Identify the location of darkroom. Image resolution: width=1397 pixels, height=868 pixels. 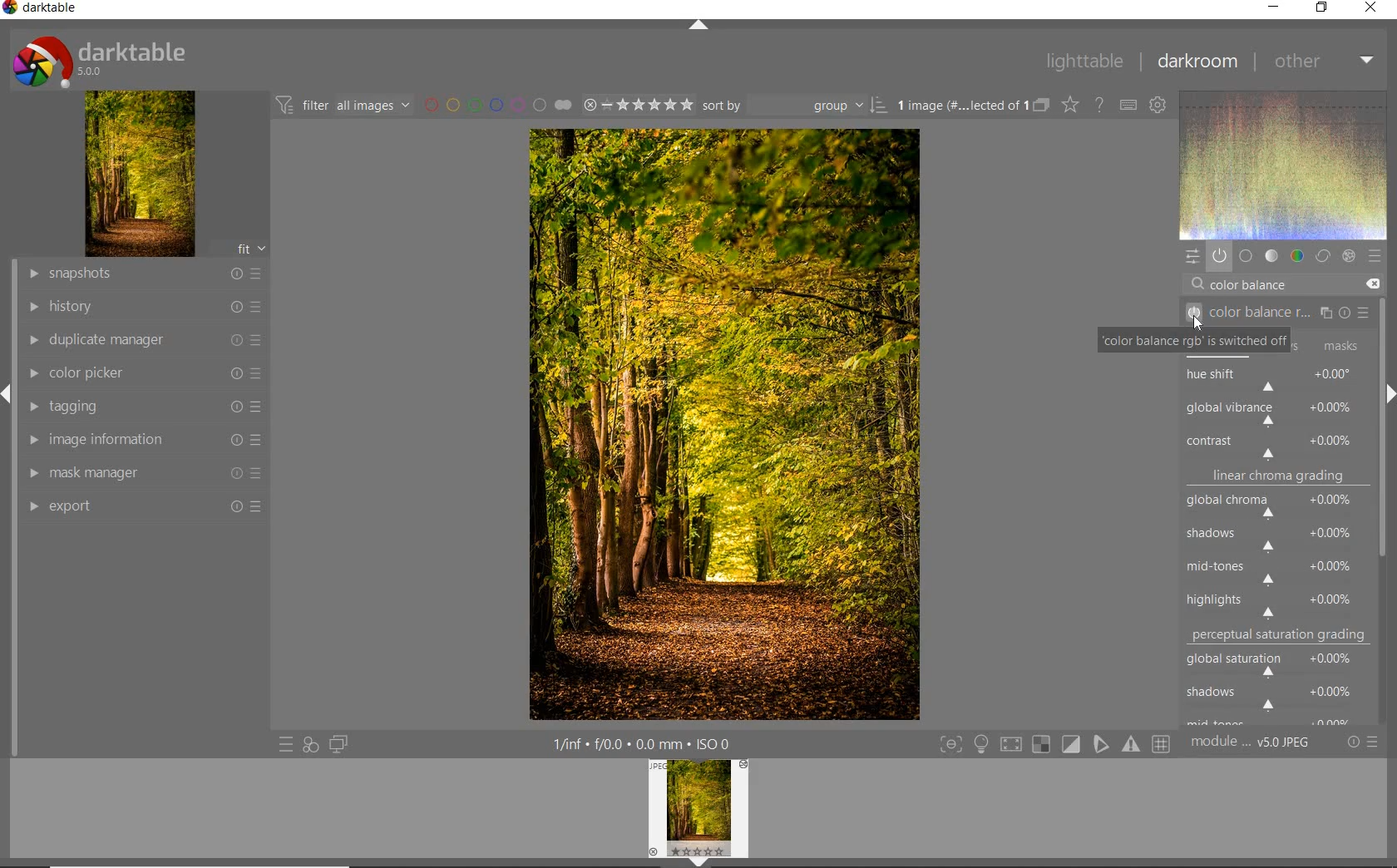
(1198, 61).